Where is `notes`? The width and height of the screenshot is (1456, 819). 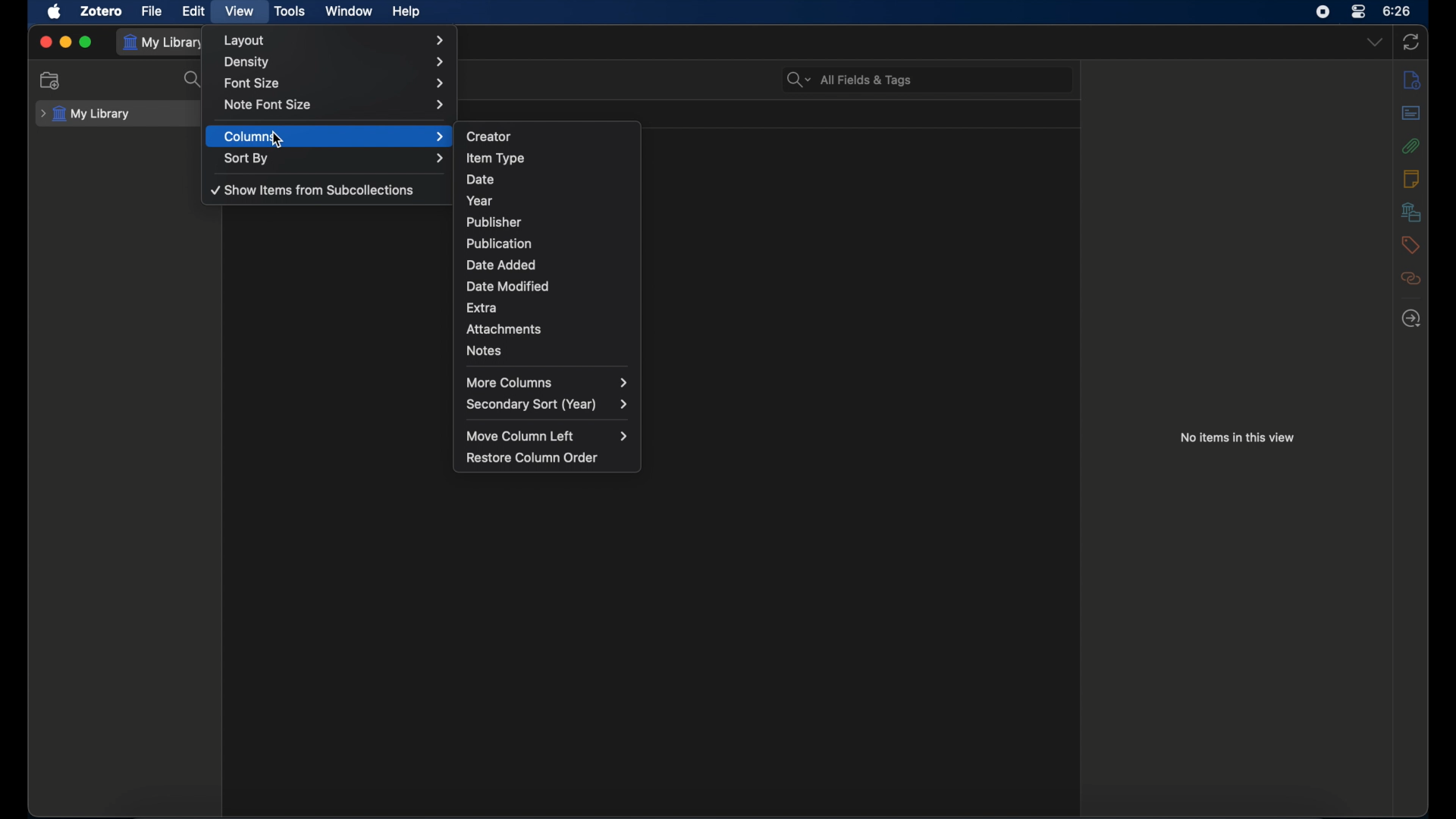 notes is located at coordinates (545, 351).